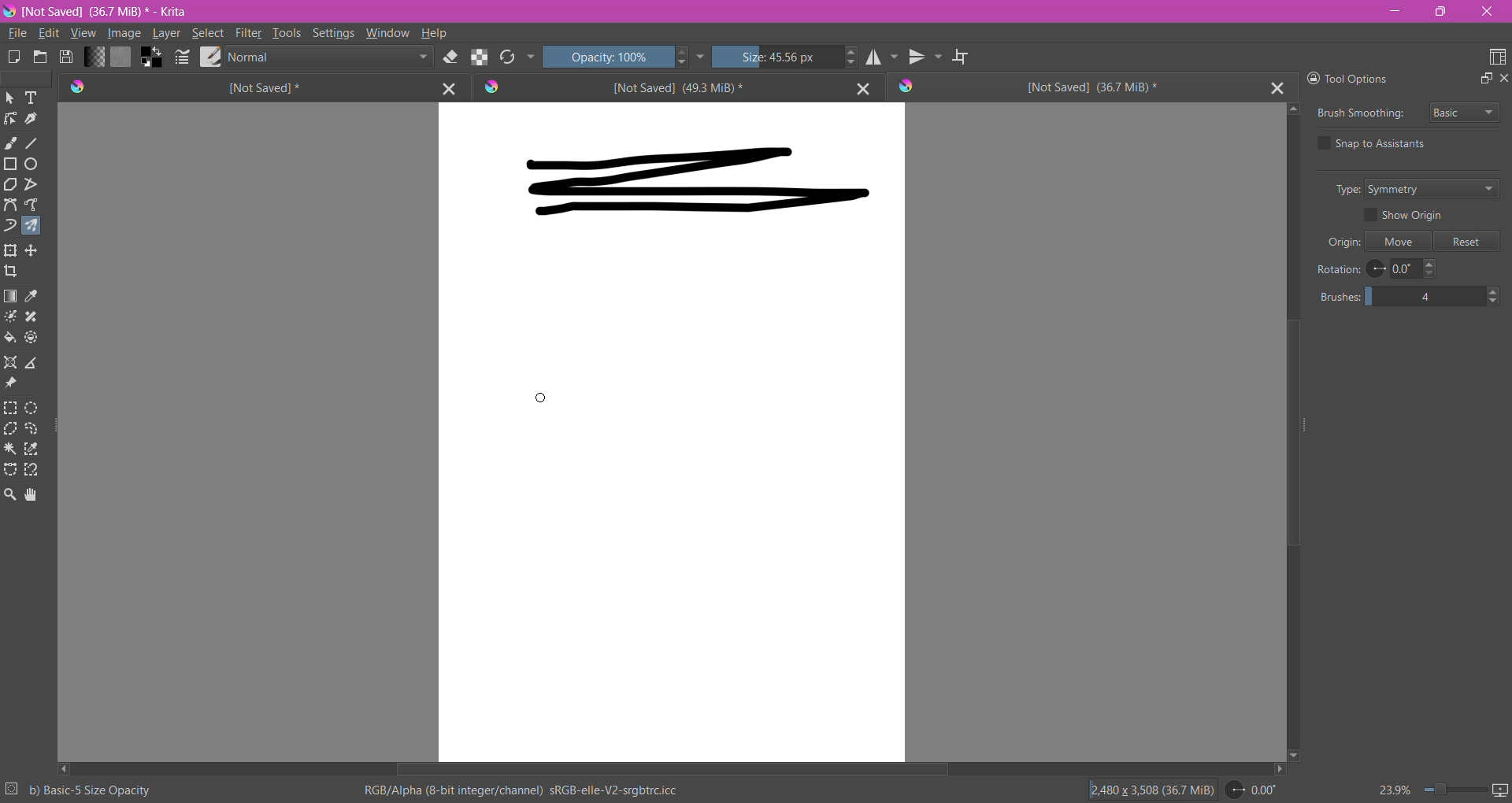 This screenshot has width=1512, height=803. What do you see at coordinates (1387, 144) in the screenshot?
I see `Snap to Assistants` at bounding box center [1387, 144].